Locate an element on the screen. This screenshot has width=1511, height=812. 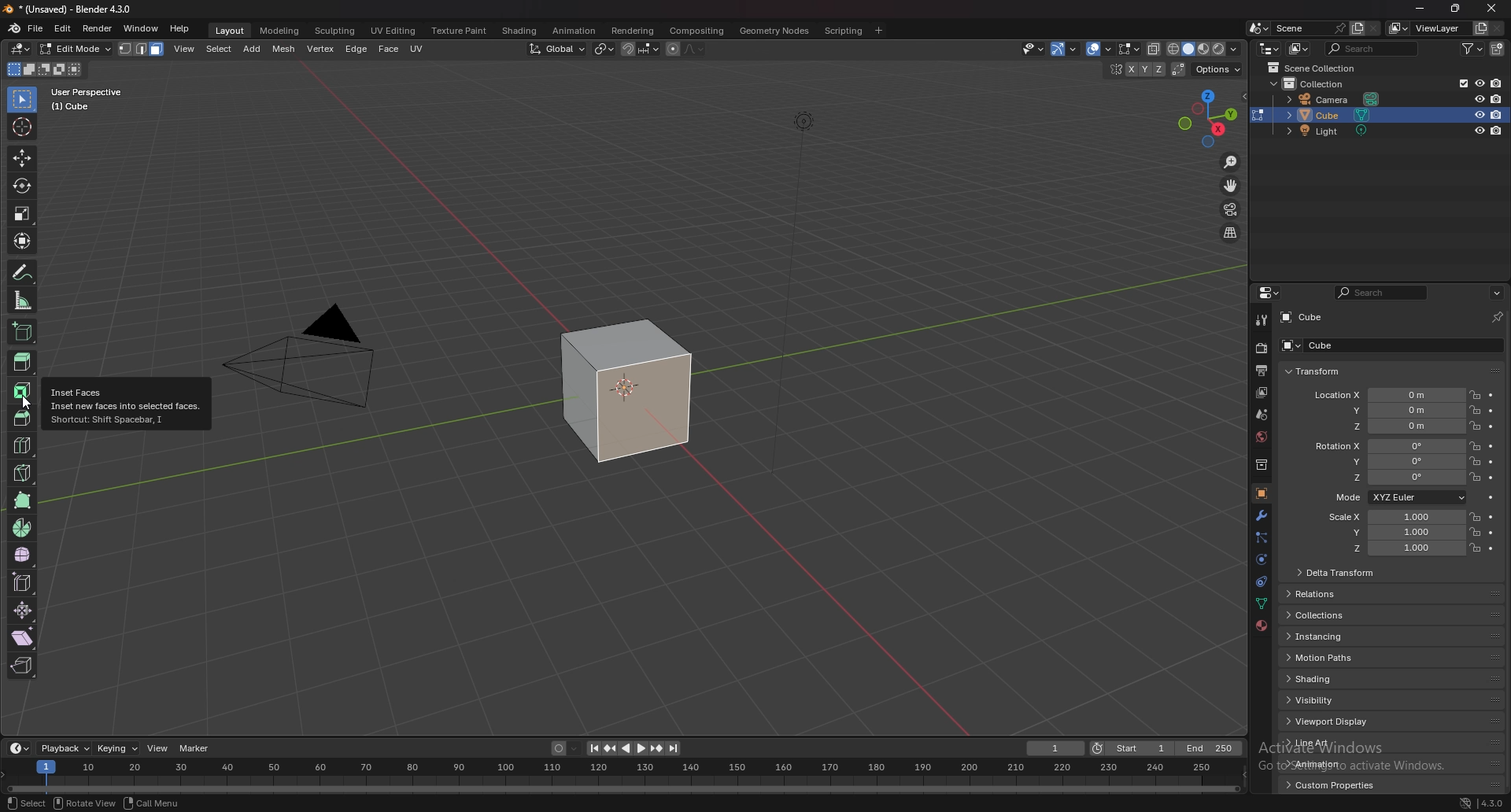
motion paths is located at coordinates (1334, 657).